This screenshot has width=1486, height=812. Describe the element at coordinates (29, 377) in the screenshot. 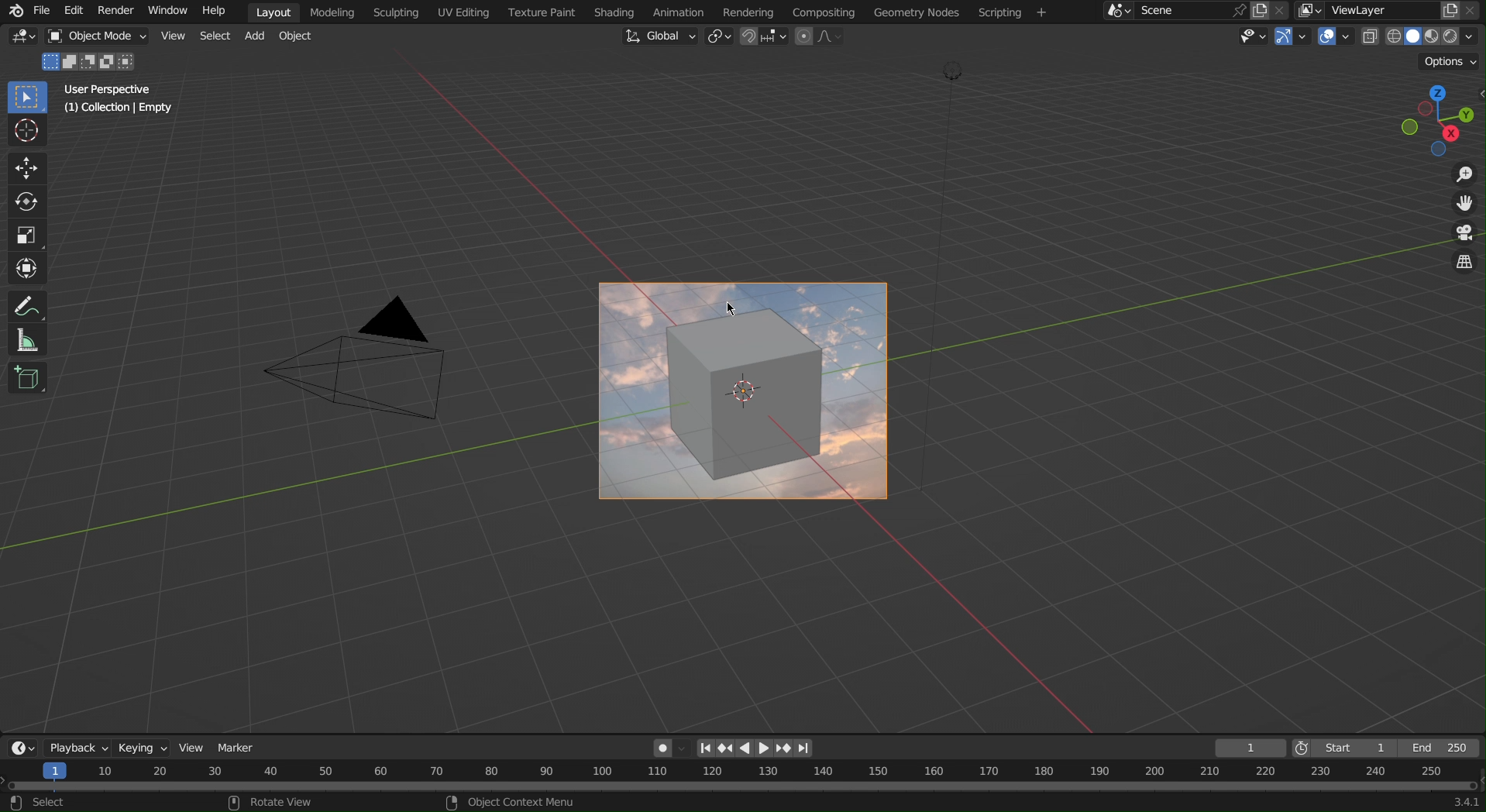

I see `Cube` at that location.